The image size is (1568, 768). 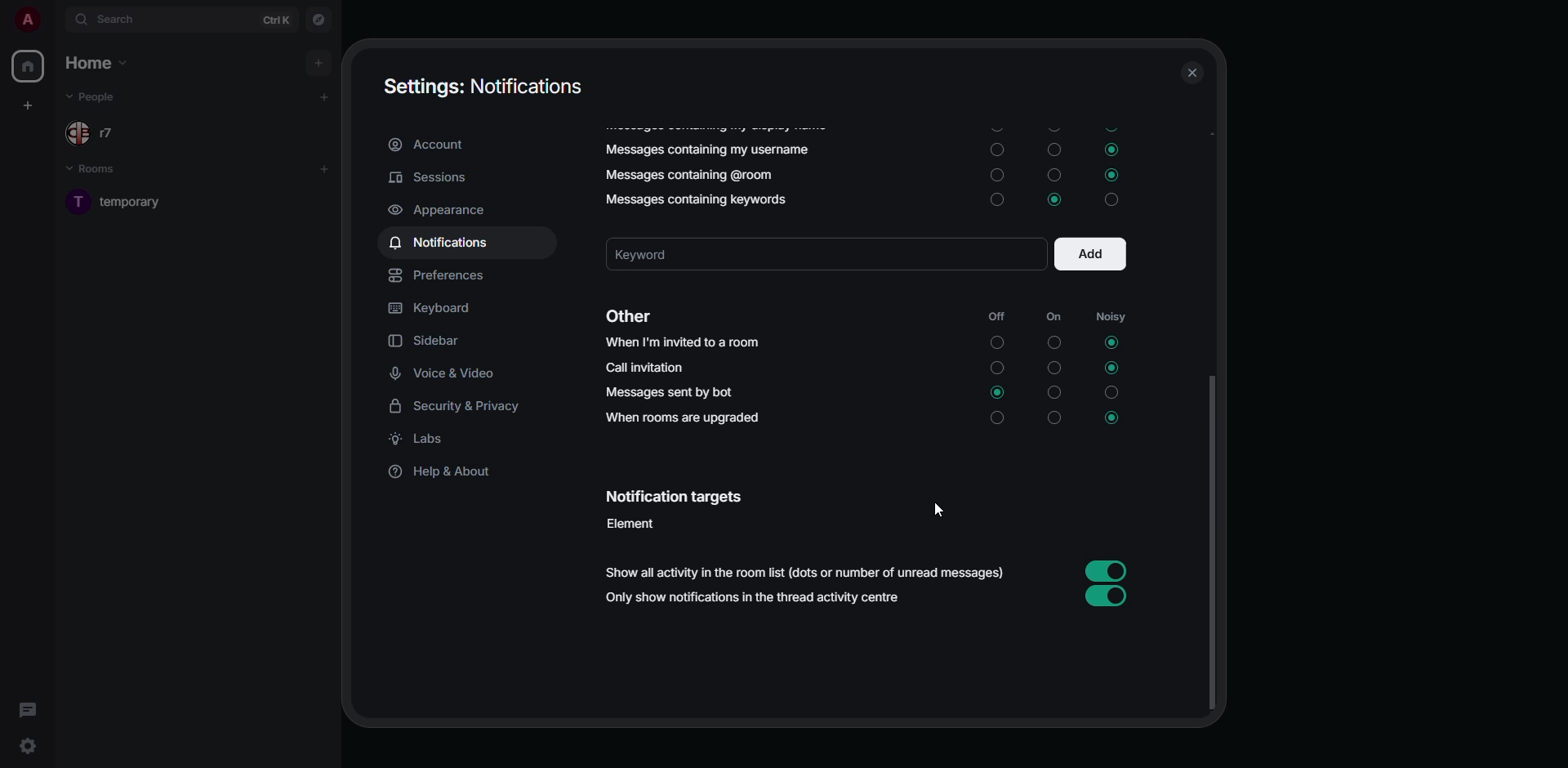 What do you see at coordinates (54, 20) in the screenshot?
I see `expand` at bounding box center [54, 20].